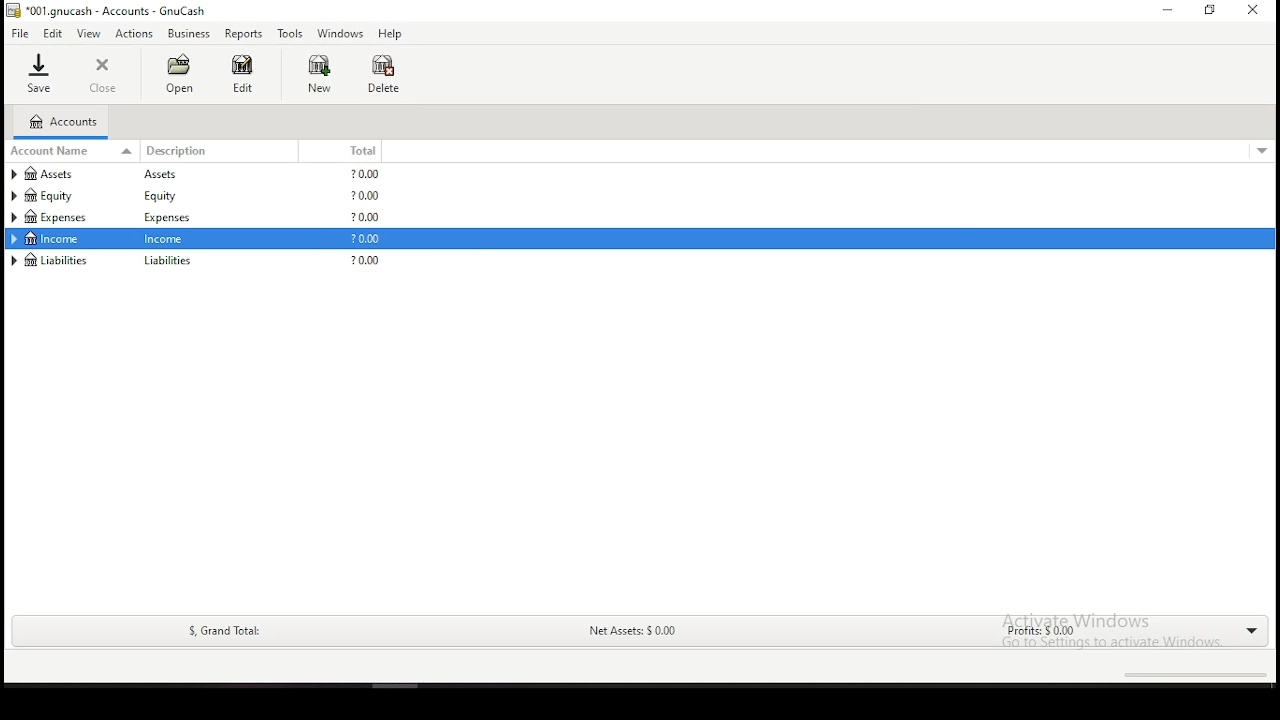 The width and height of the screenshot is (1280, 720). Describe the element at coordinates (165, 196) in the screenshot. I see `equity` at that location.